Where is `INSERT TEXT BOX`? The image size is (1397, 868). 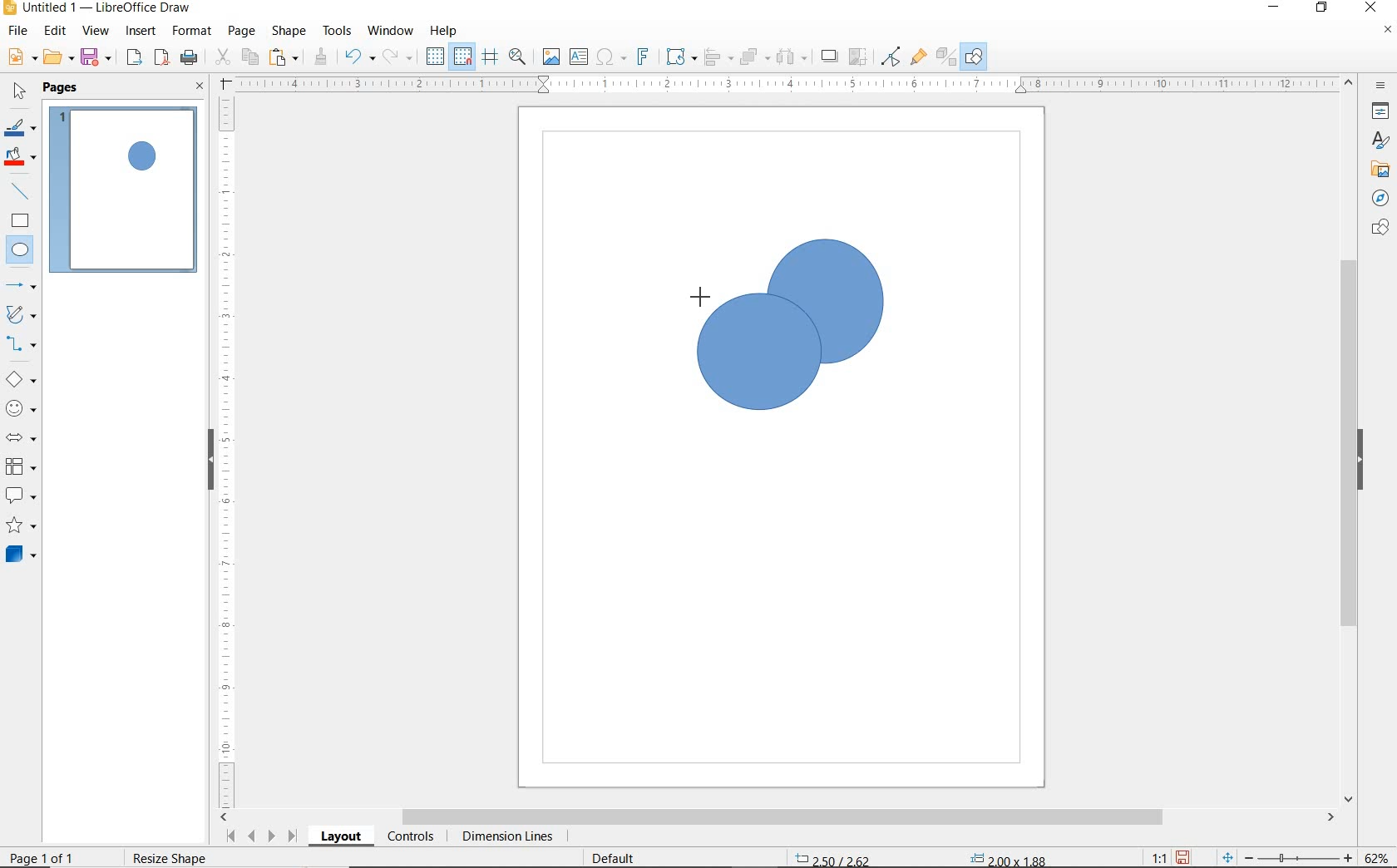 INSERT TEXT BOX is located at coordinates (580, 57).